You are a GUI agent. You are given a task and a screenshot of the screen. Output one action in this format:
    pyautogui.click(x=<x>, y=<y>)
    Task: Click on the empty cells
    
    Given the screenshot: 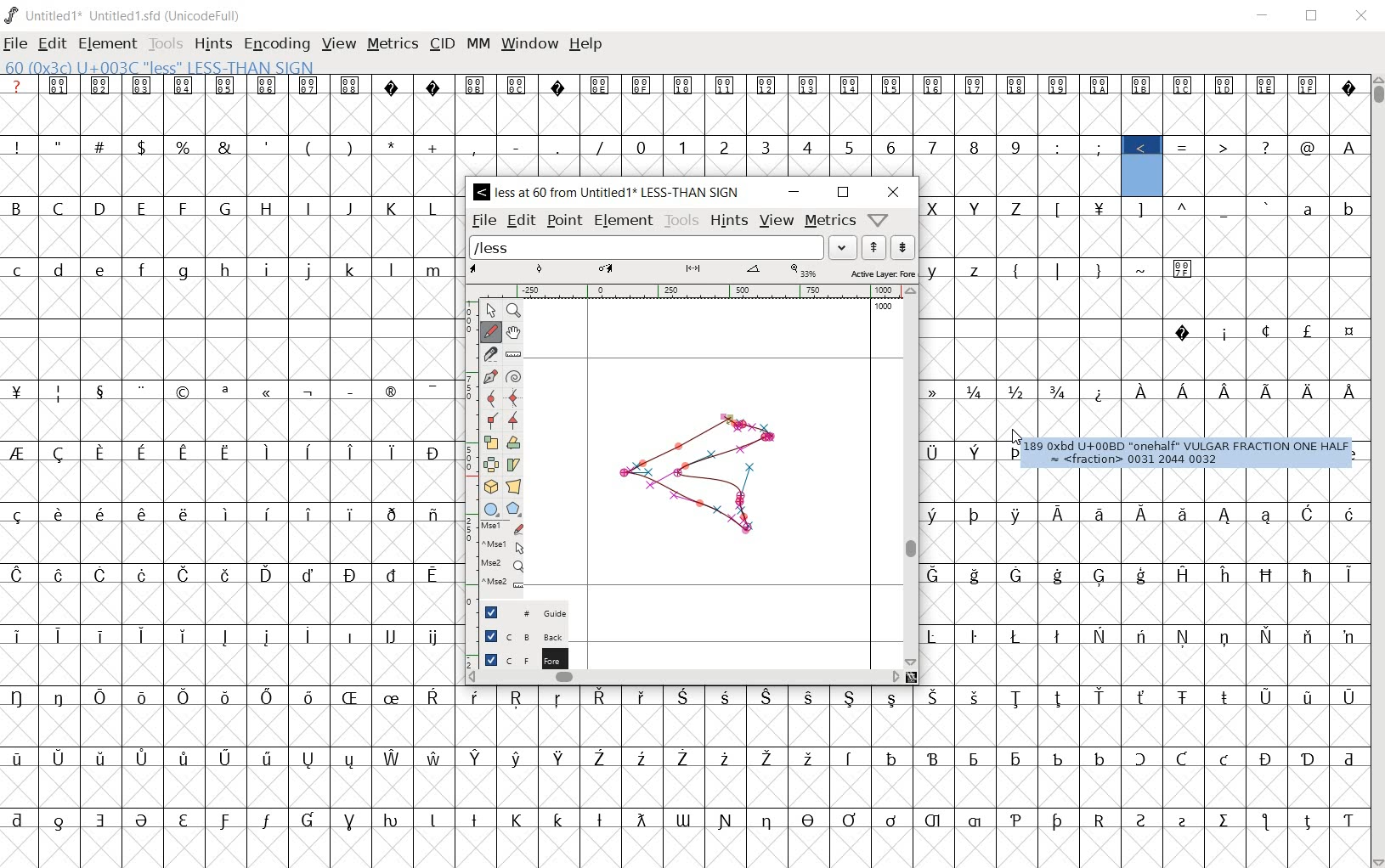 What is the action you would take?
    pyautogui.click(x=1143, y=663)
    